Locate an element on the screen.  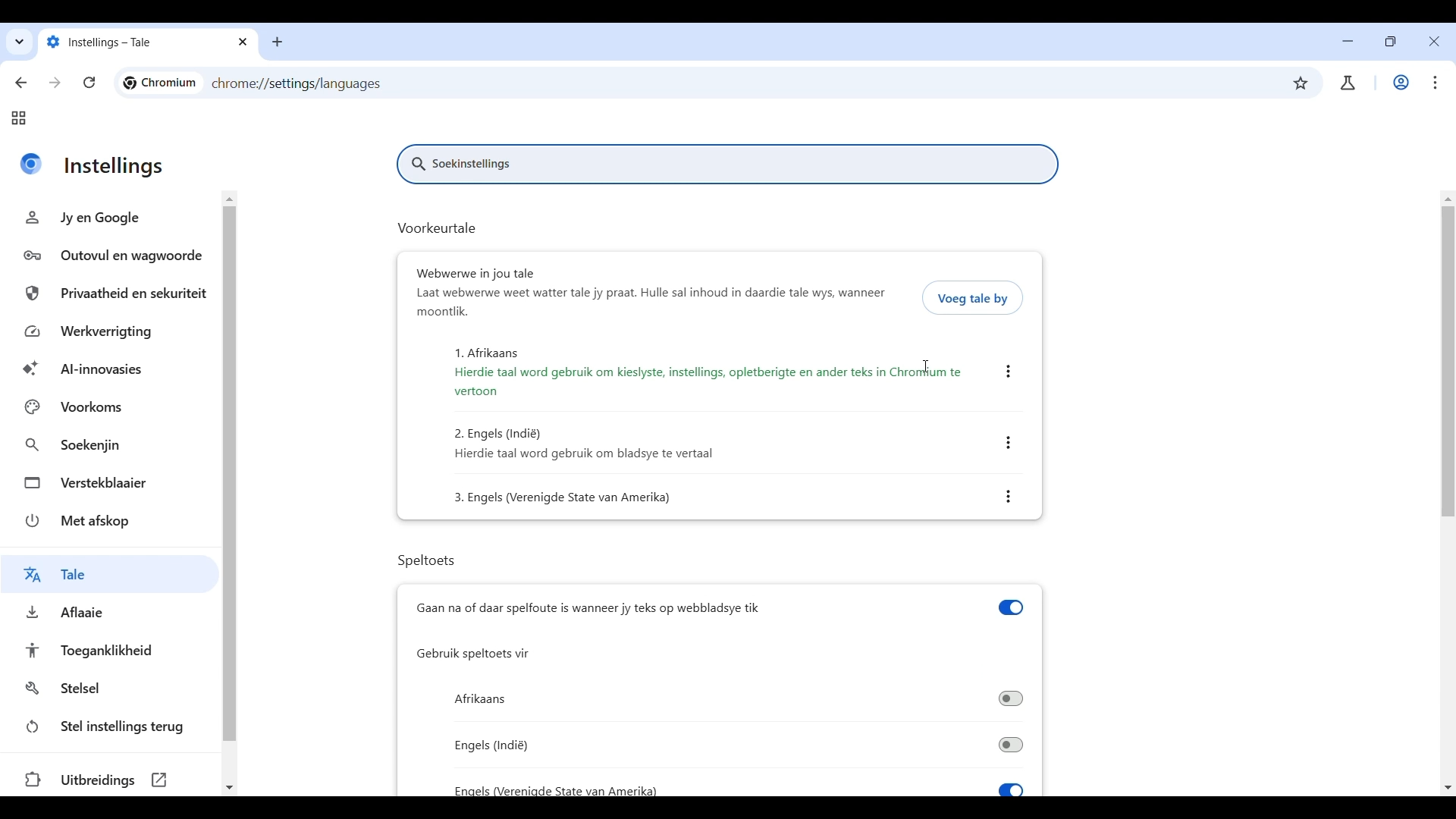
Werkverrigting is located at coordinates (112, 334).